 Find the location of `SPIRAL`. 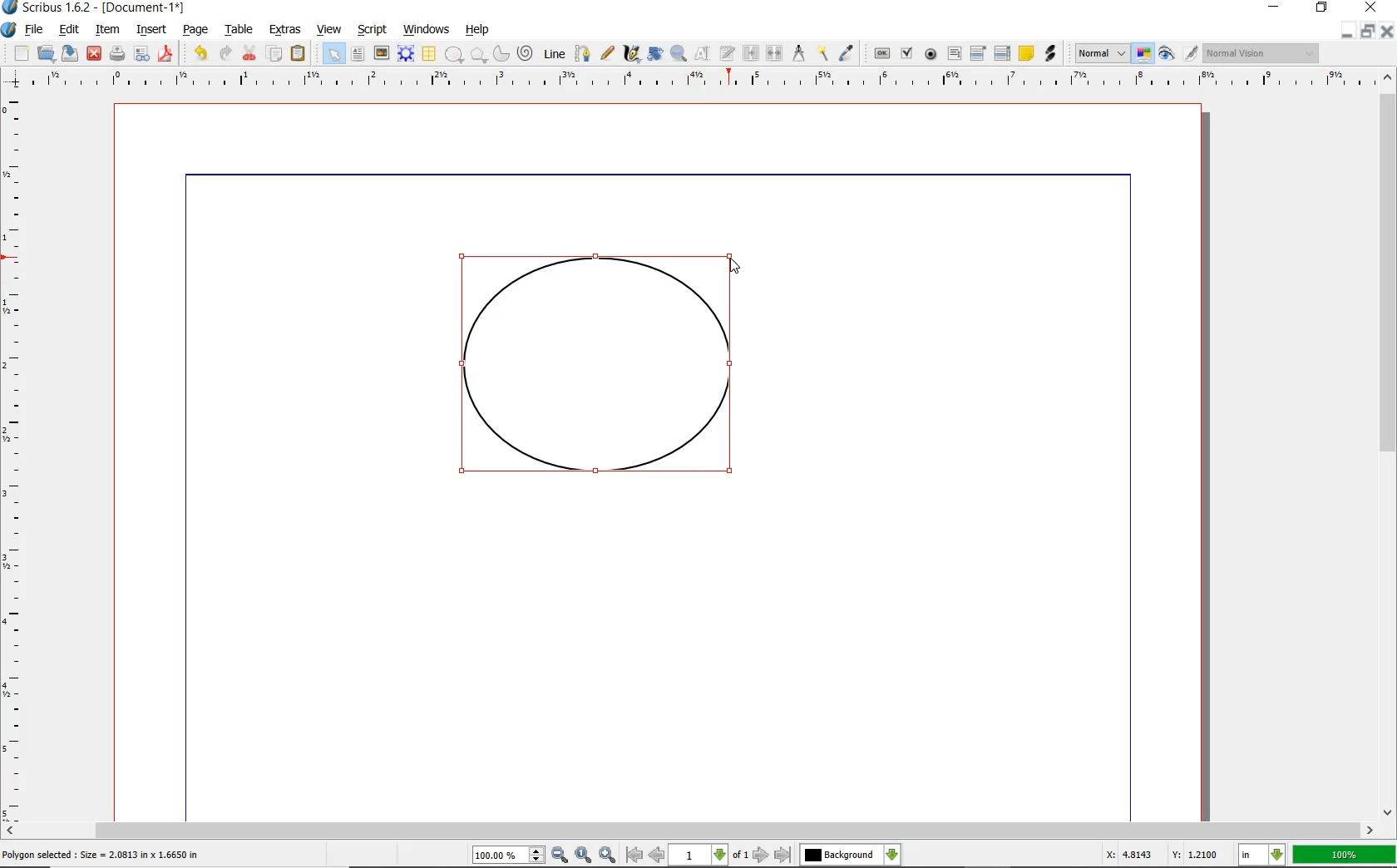

SPIRAL is located at coordinates (524, 54).